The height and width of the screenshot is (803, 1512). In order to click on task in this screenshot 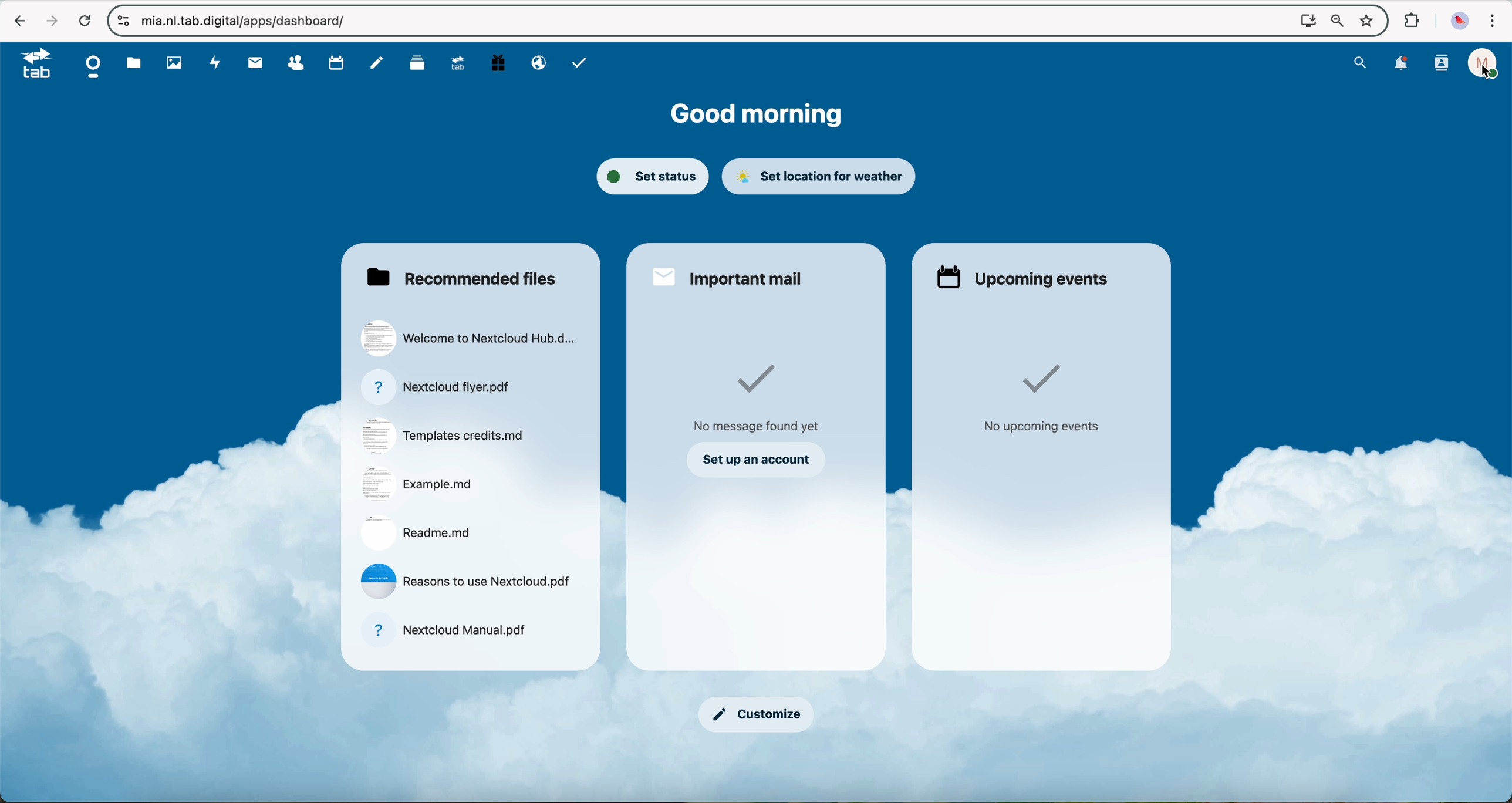, I will do `click(581, 64)`.